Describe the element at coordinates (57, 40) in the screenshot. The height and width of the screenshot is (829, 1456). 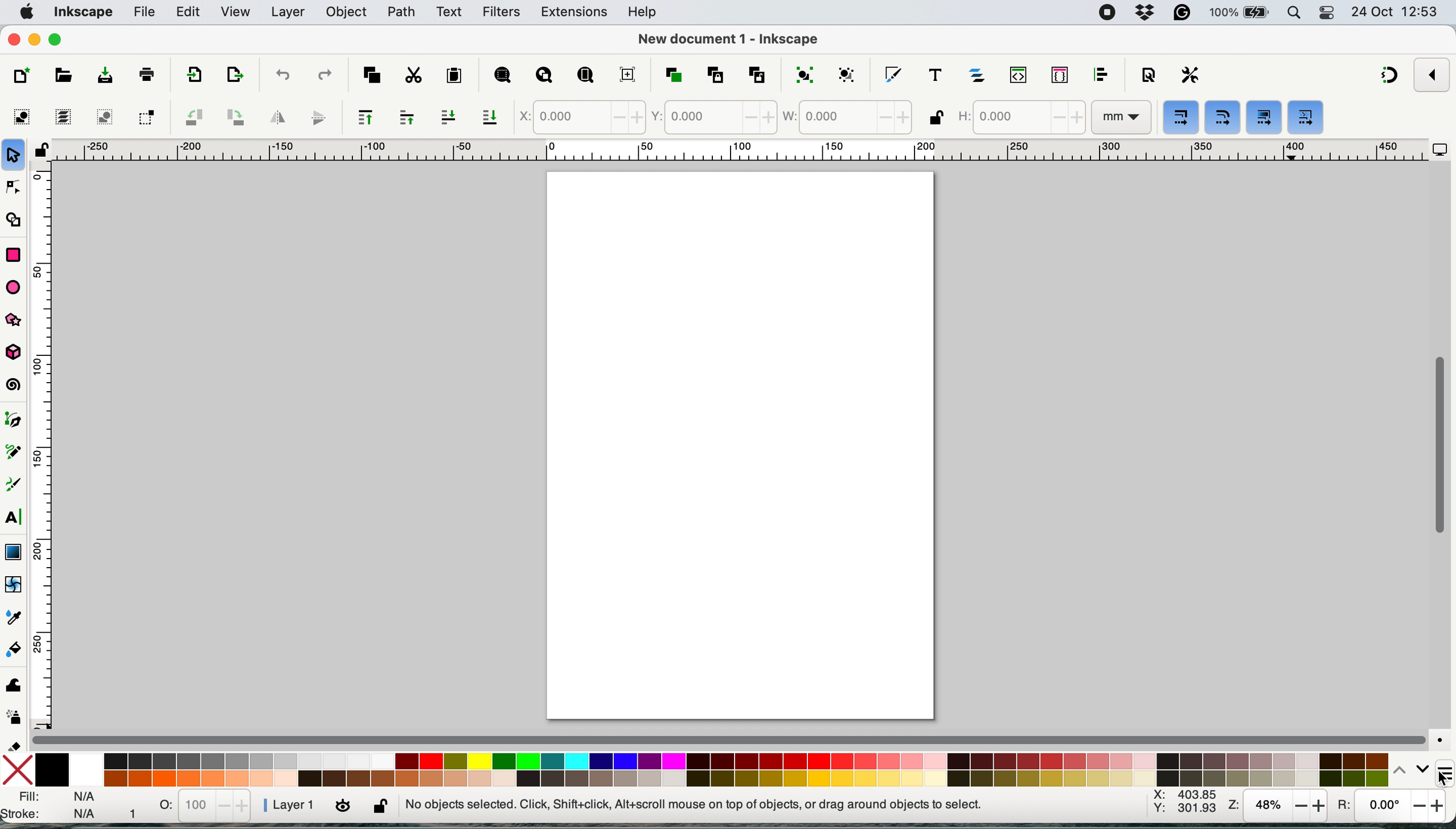
I see `maximise` at that location.